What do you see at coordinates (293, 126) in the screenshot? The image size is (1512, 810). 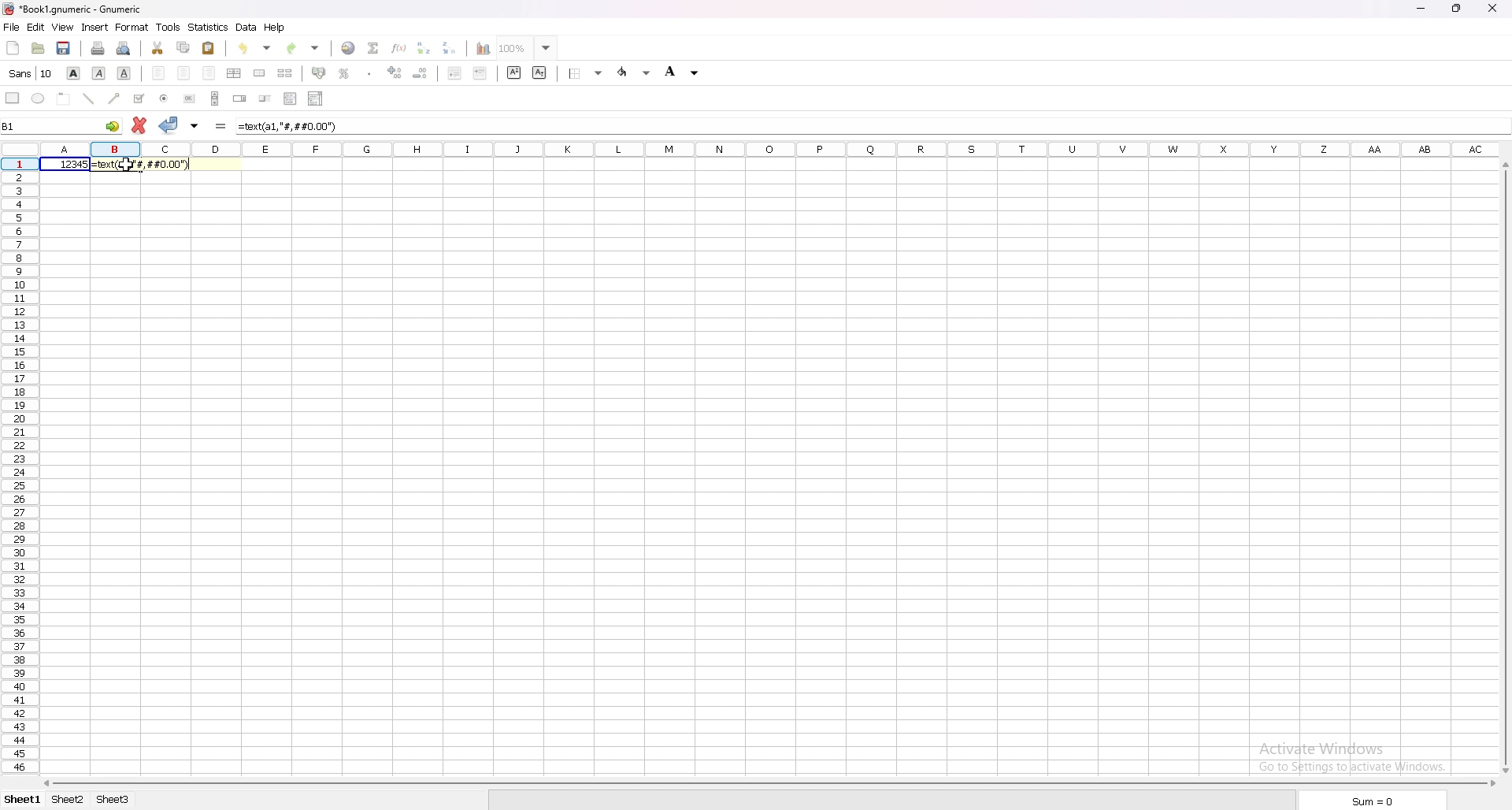 I see `formula` at bounding box center [293, 126].